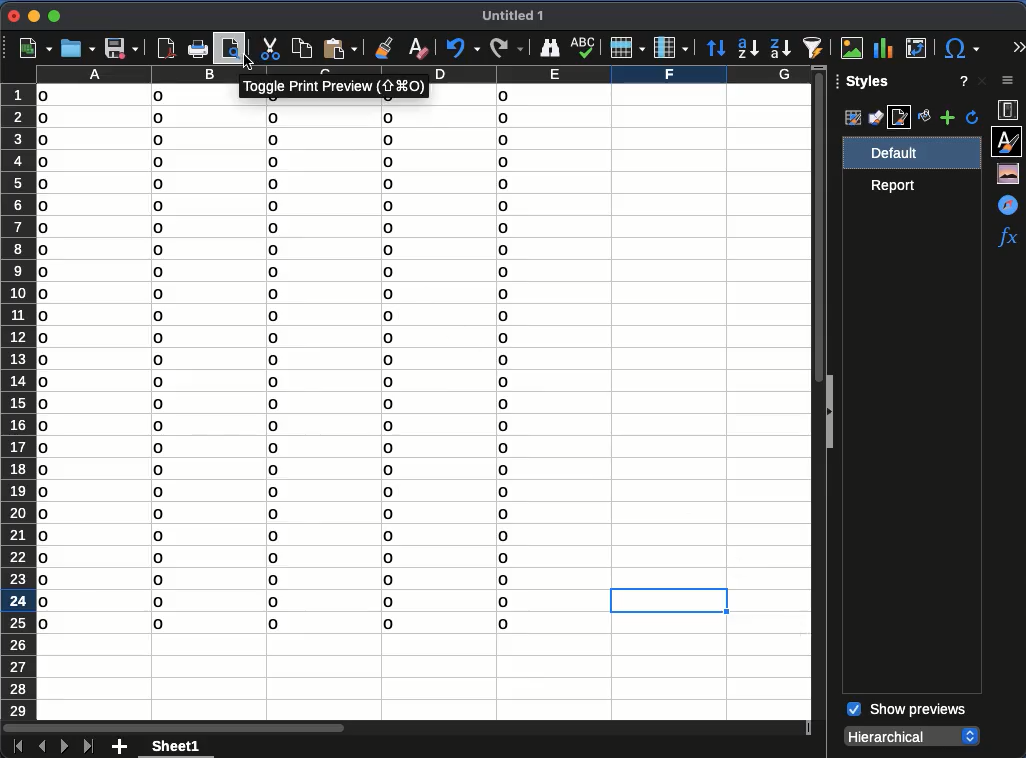 The width and height of the screenshot is (1026, 758). Describe the element at coordinates (961, 48) in the screenshot. I see `special character` at that location.